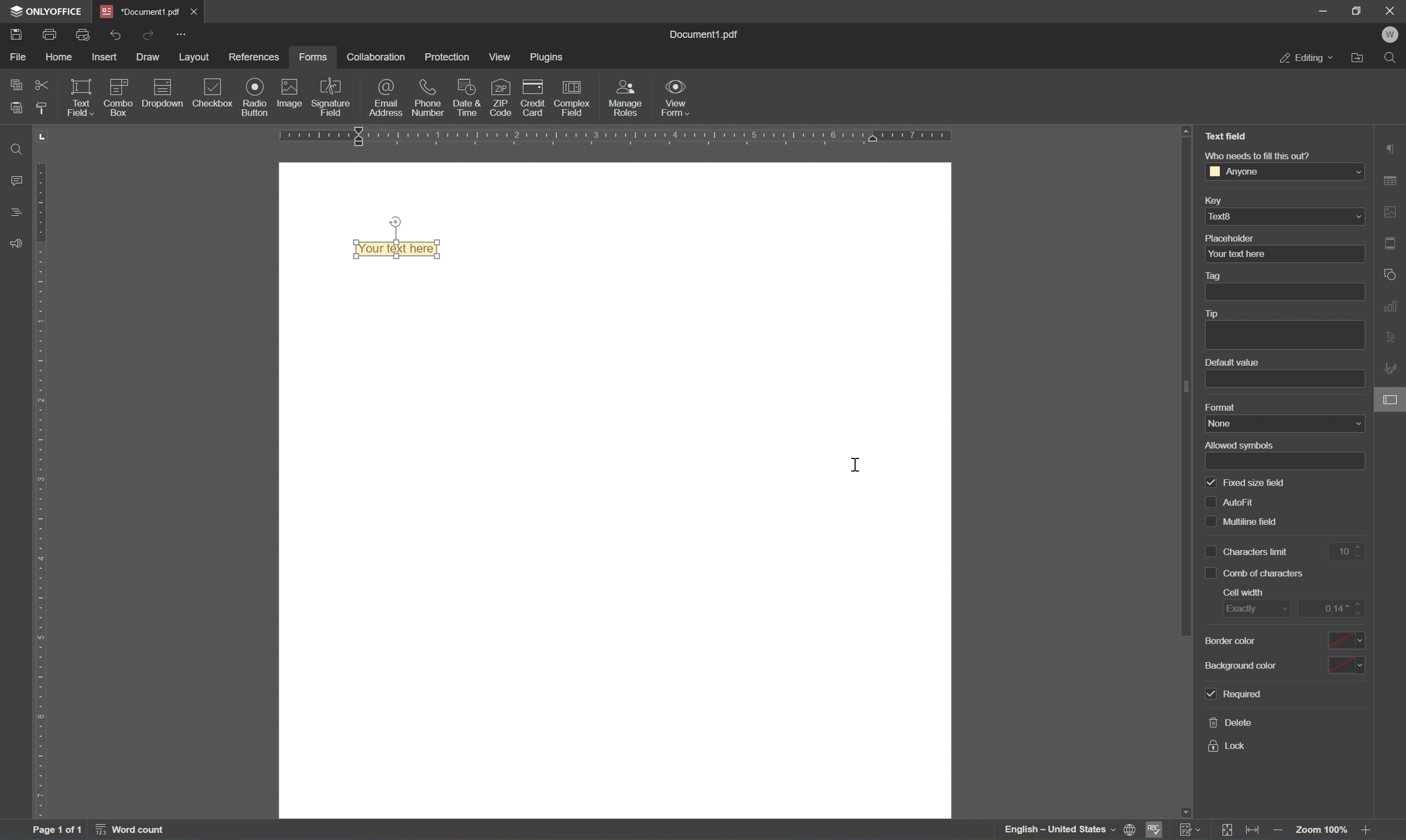 The width and height of the screenshot is (1406, 840). What do you see at coordinates (117, 36) in the screenshot?
I see `redo` at bounding box center [117, 36].